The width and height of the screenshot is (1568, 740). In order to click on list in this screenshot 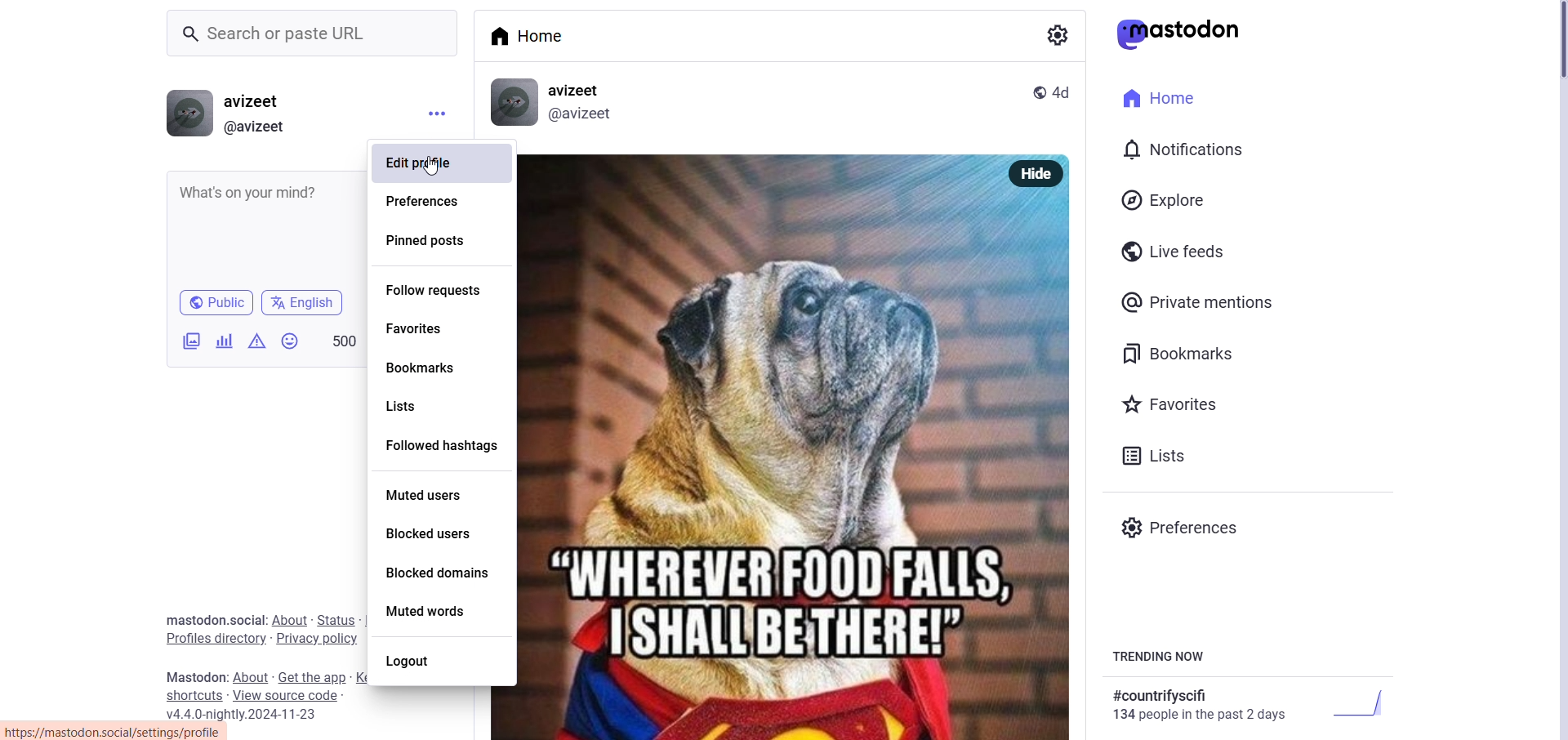, I will do `click(1152, 457)`.